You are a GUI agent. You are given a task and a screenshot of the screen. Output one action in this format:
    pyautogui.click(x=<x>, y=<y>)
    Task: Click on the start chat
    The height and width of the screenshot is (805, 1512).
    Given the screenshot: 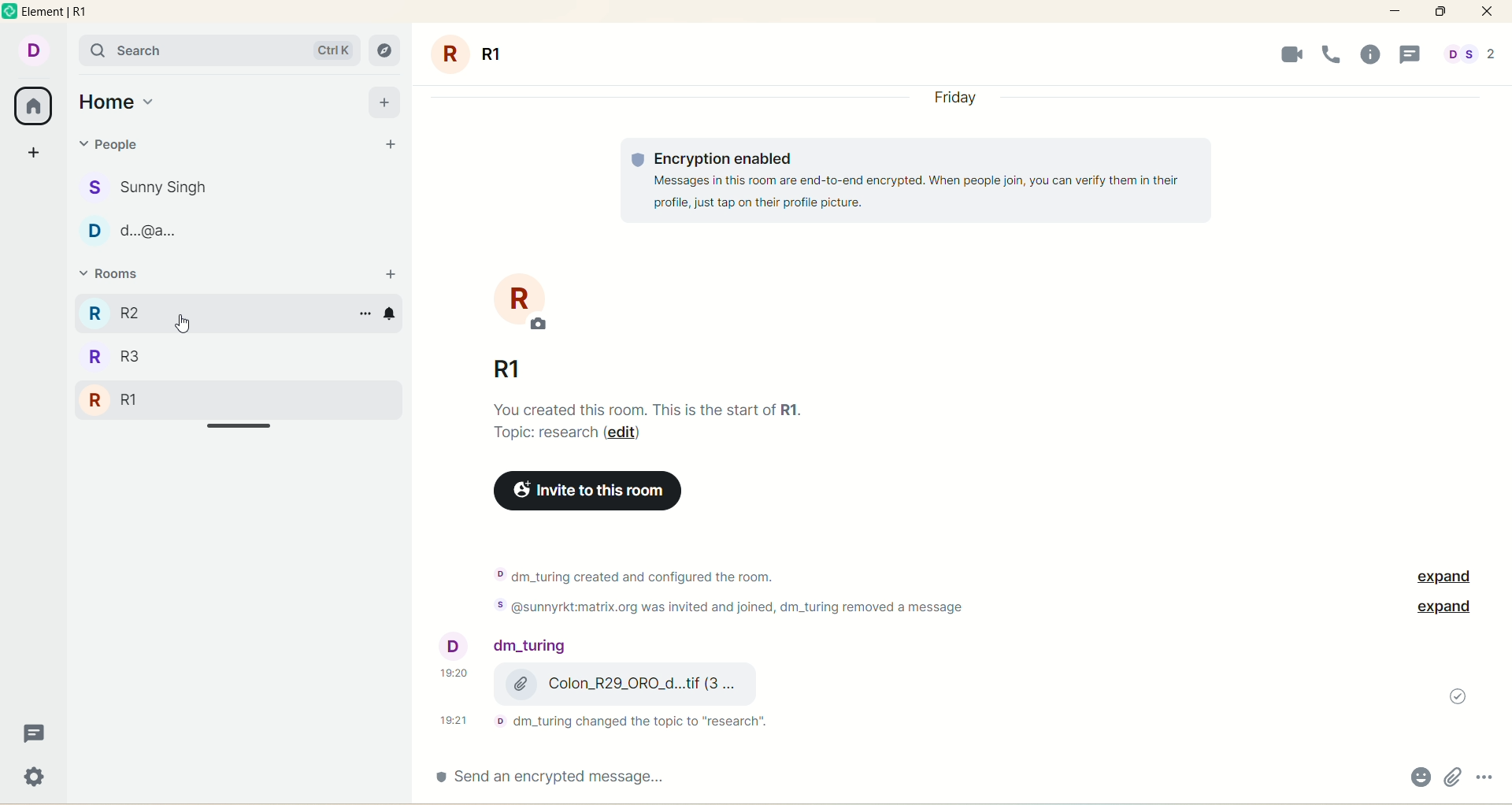 What is the action you would take?
    pyautogui.click(x=388, y=146)
    